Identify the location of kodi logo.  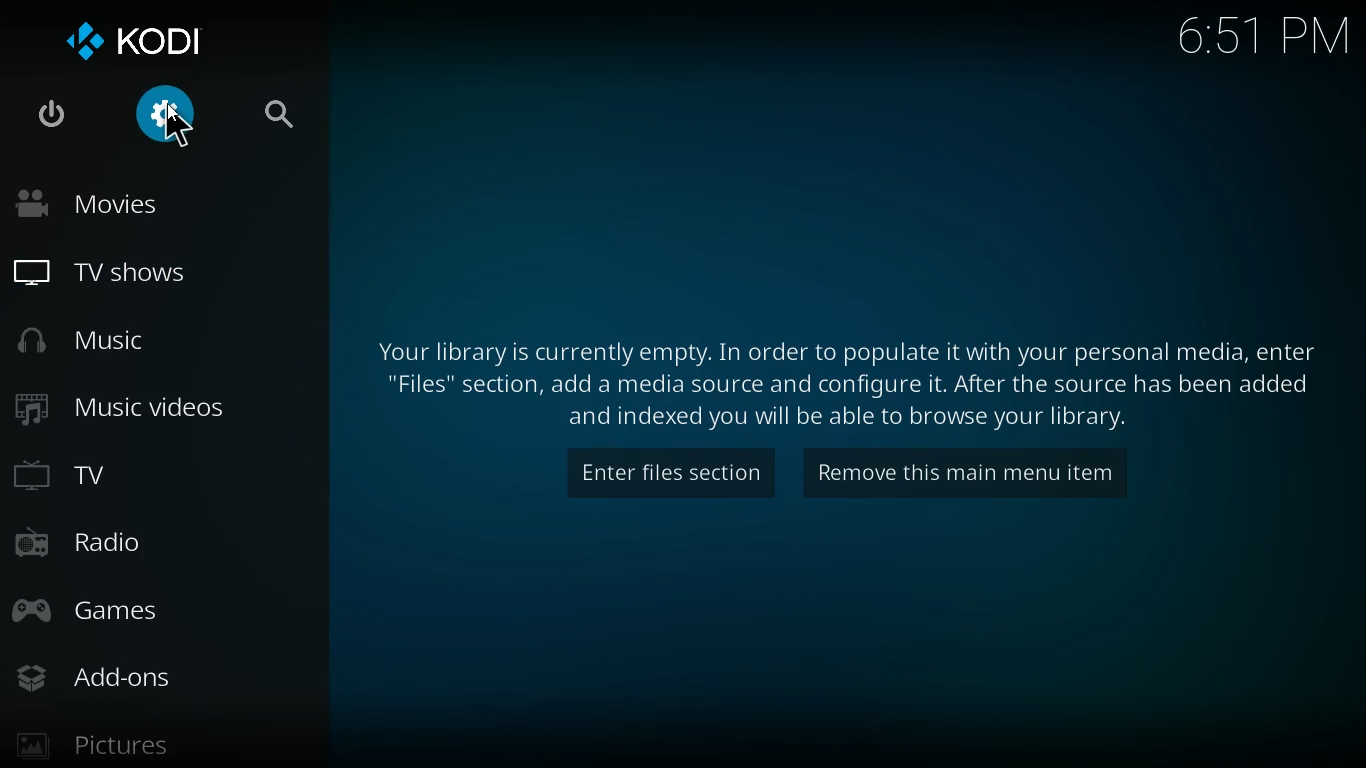
(138, 36).